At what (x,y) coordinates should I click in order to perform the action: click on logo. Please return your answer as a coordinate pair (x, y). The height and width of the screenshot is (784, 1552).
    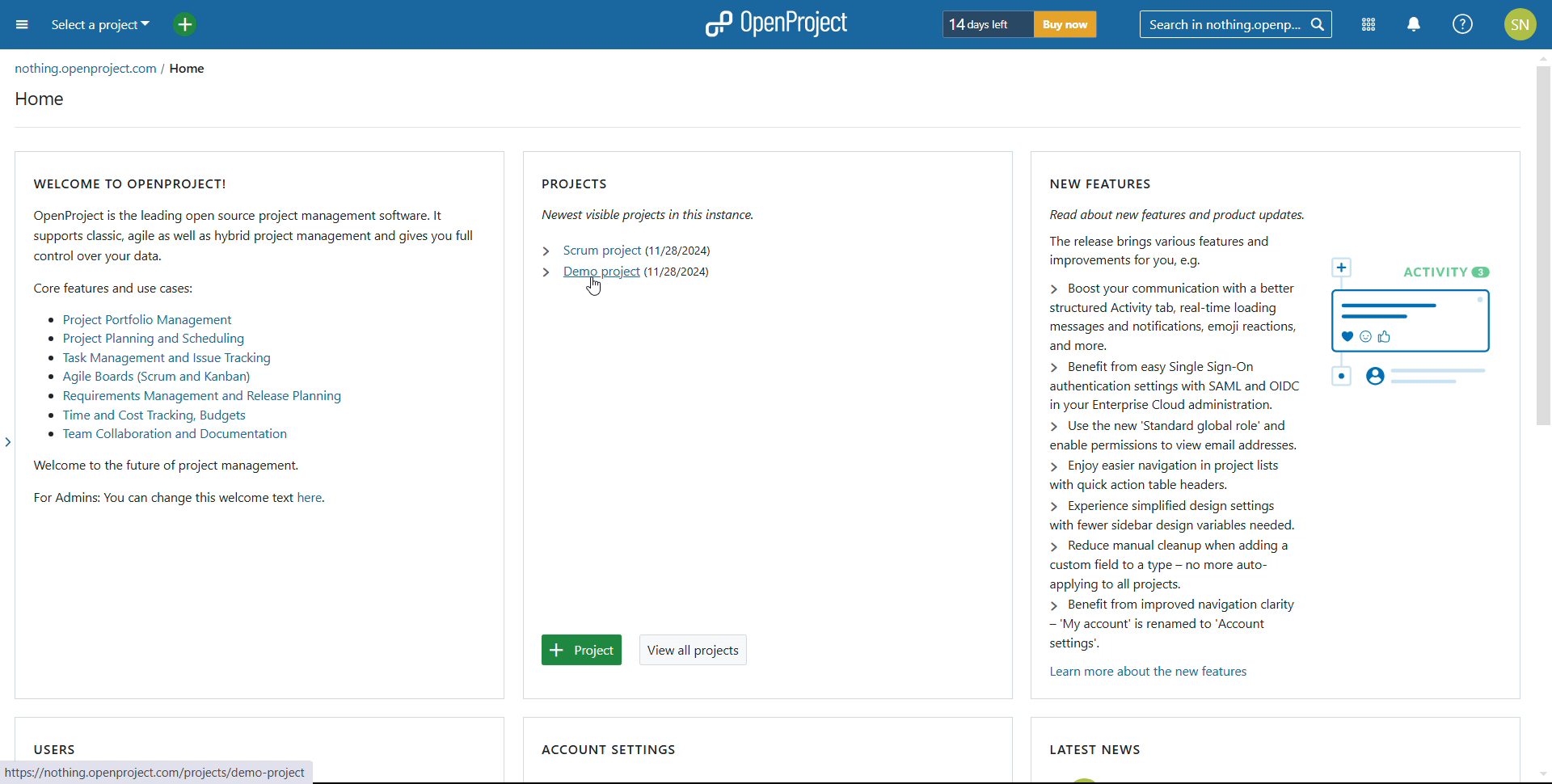
    Looking at the image, I should click on (778, 23).